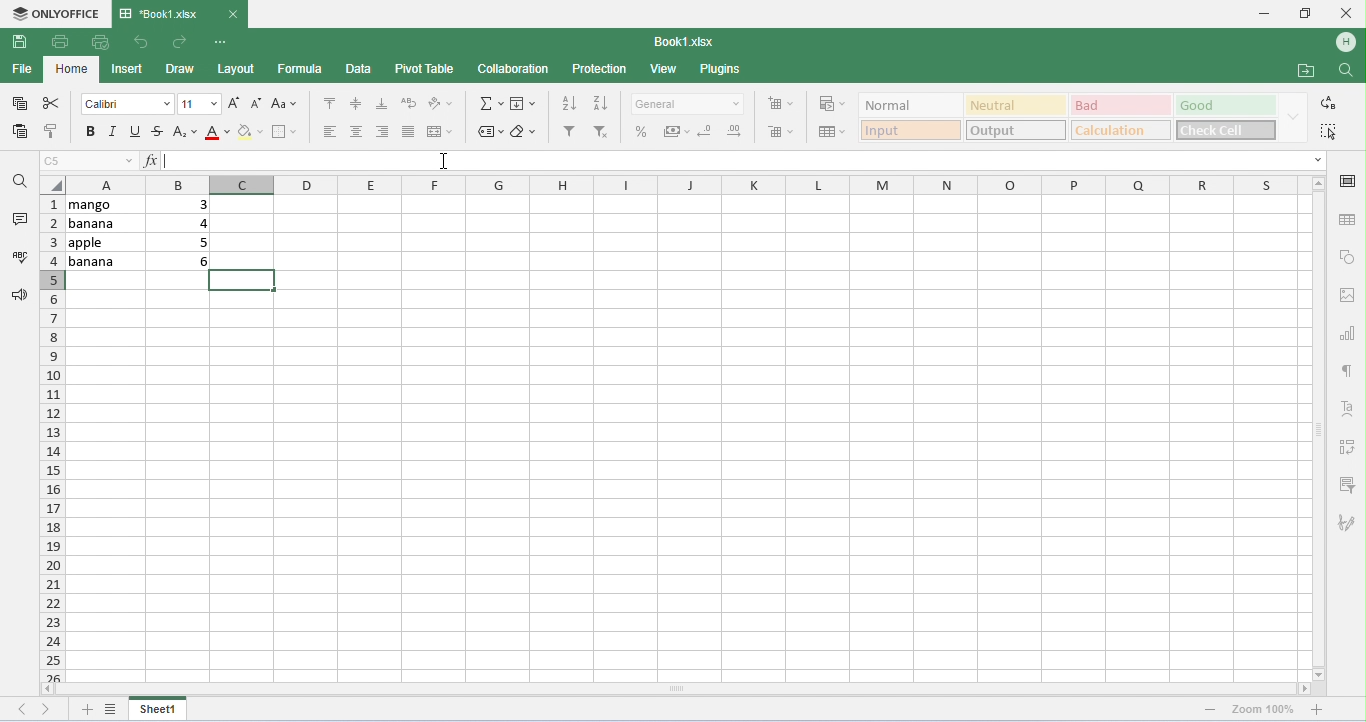 This screenshot has width=1366, height=722. I want to click on conditional formatting, so click(831, 104).